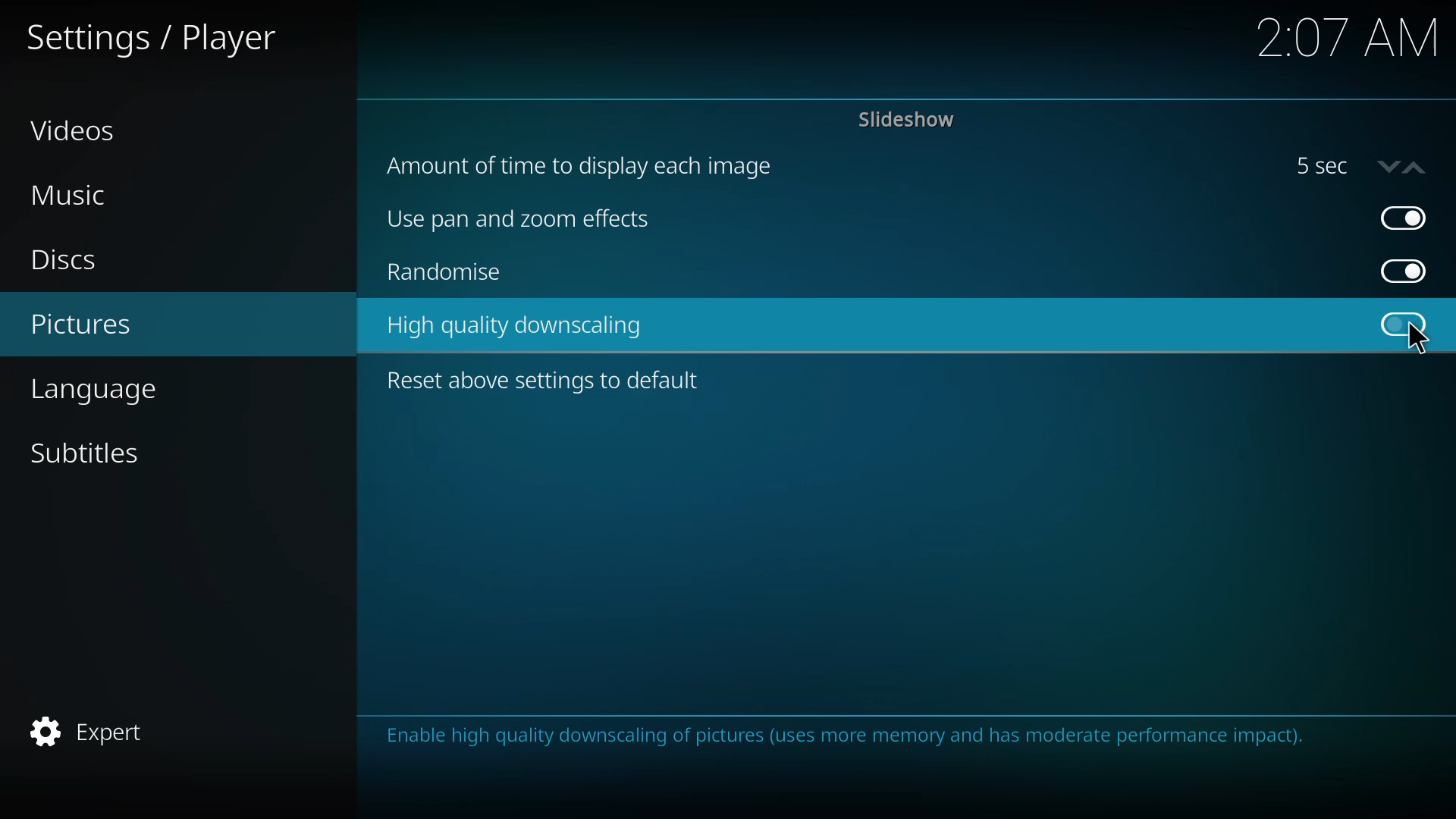 Image resolution: width=1456 pixels, height=819 pixels. Describe the element at coordinates (528, 221) in the screenshot. I see `use pan and zoom effects` at that location.